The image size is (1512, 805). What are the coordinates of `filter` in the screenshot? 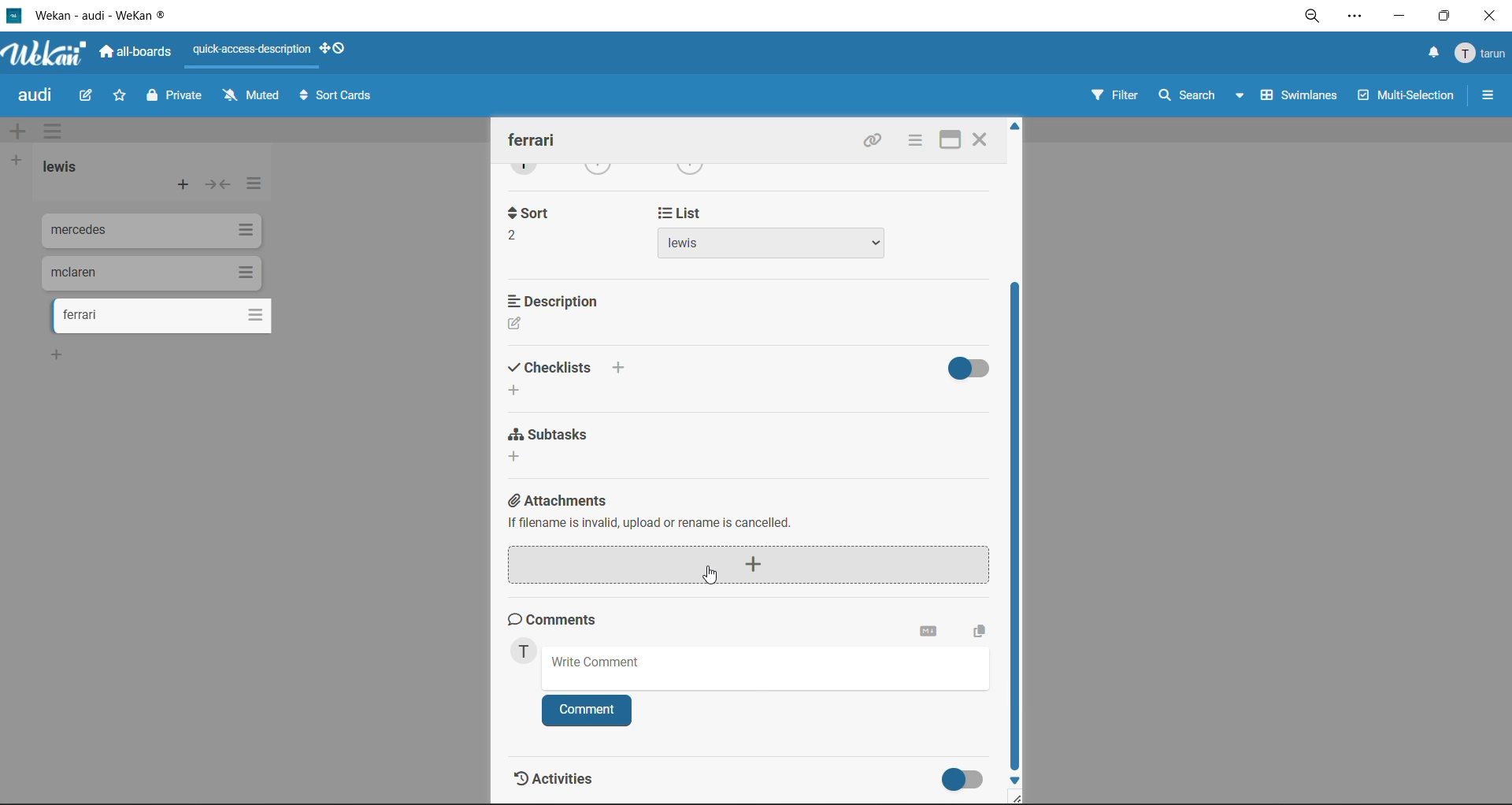 It's located at (1116, 95).